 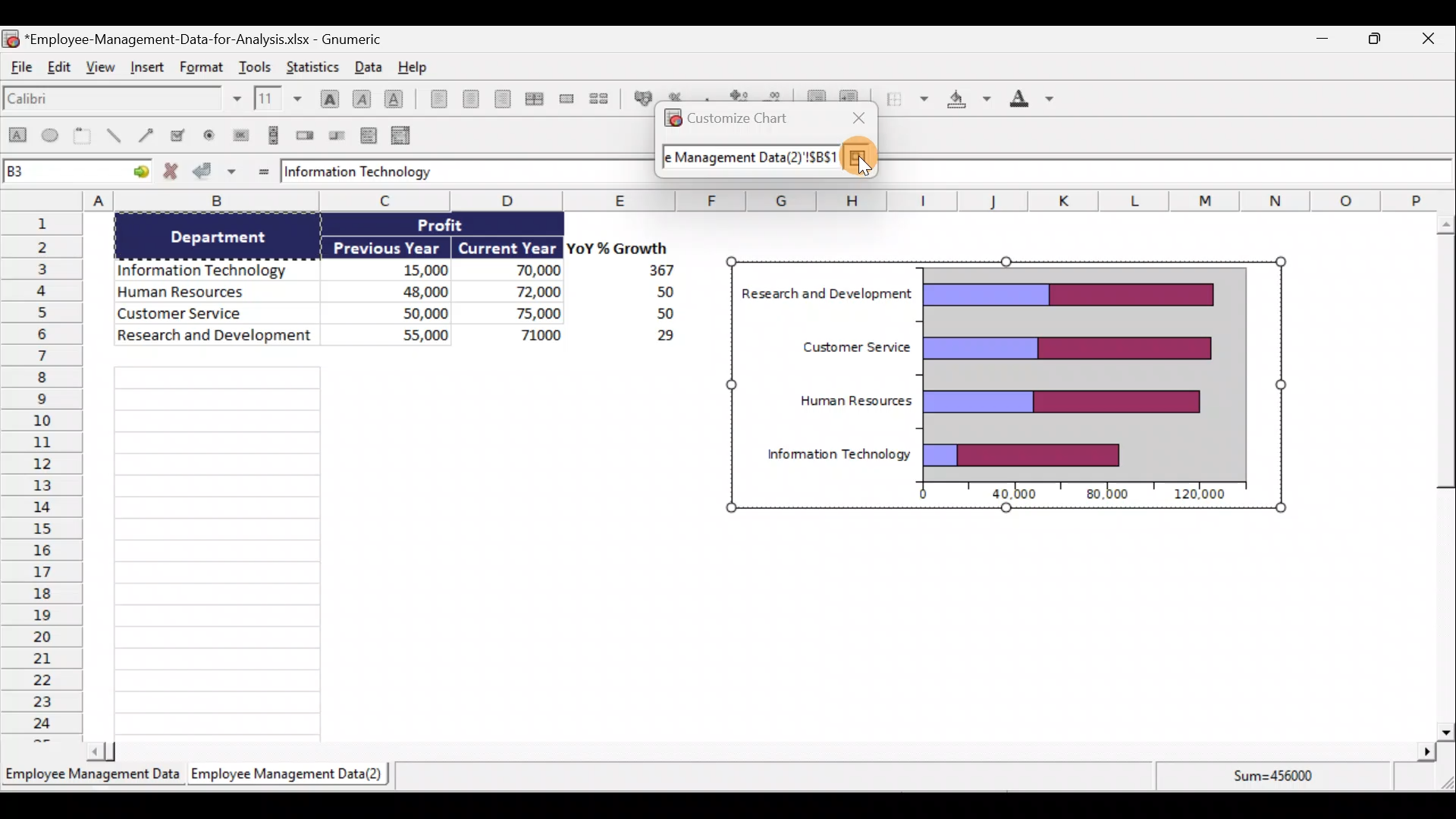 What do you see at coordinates (838, 455) in the screenshot?
I see `Information Technology` at bounding box center [838, 455].